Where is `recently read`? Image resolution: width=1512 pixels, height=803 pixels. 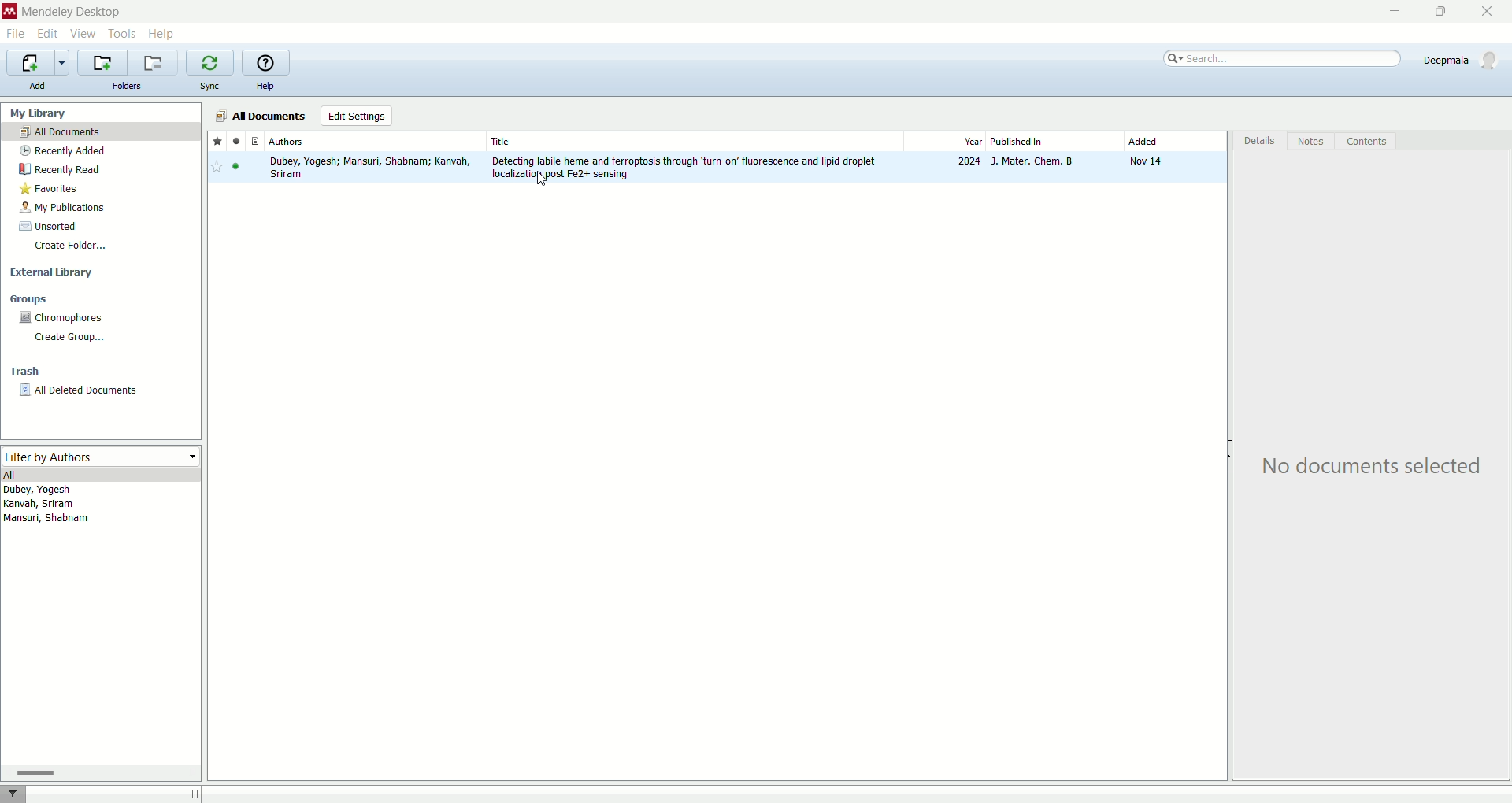
recently read is located at coordinates (60, 171).